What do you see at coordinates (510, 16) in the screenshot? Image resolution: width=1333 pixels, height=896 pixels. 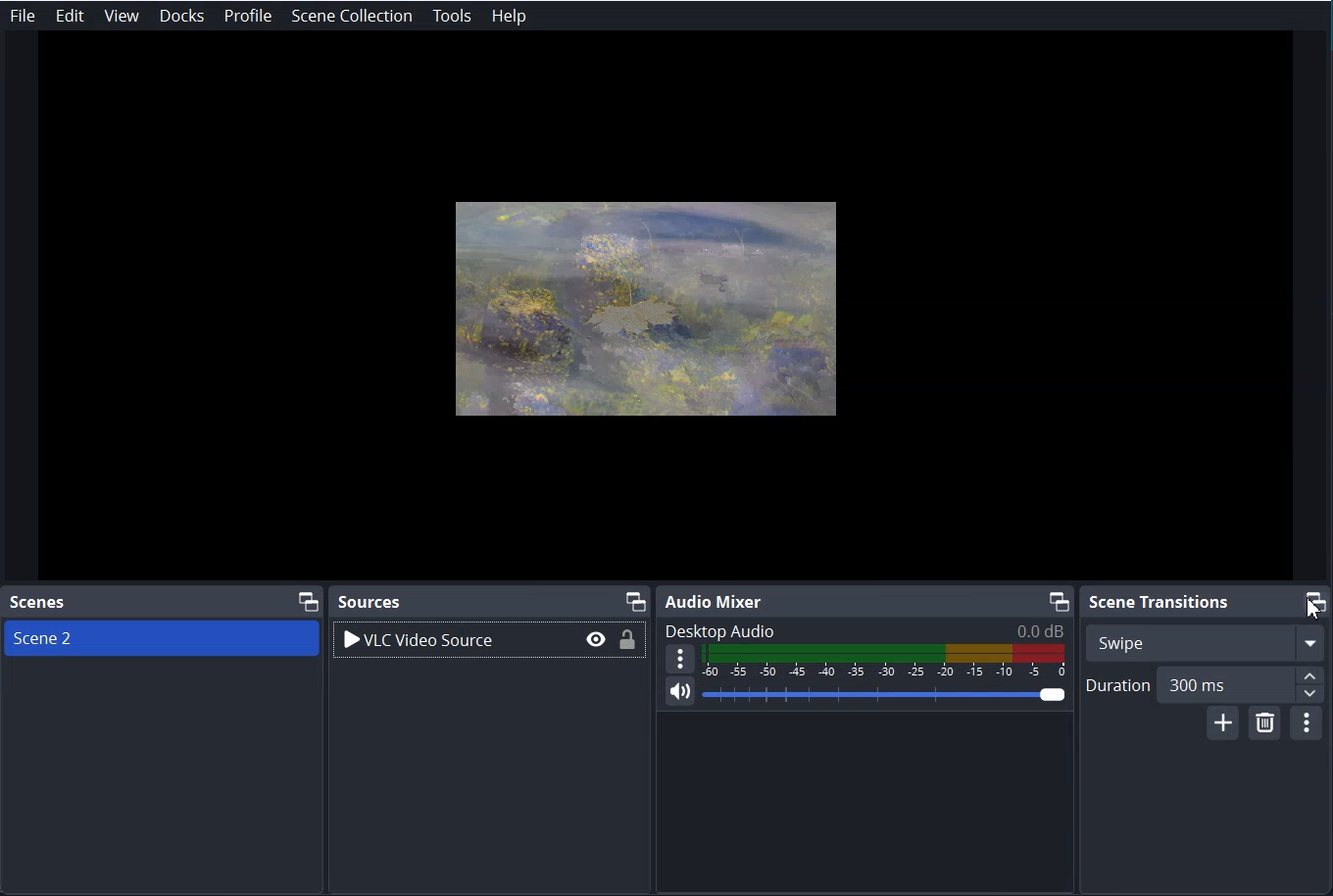 I see `Help` at bounding box center [510, 16].